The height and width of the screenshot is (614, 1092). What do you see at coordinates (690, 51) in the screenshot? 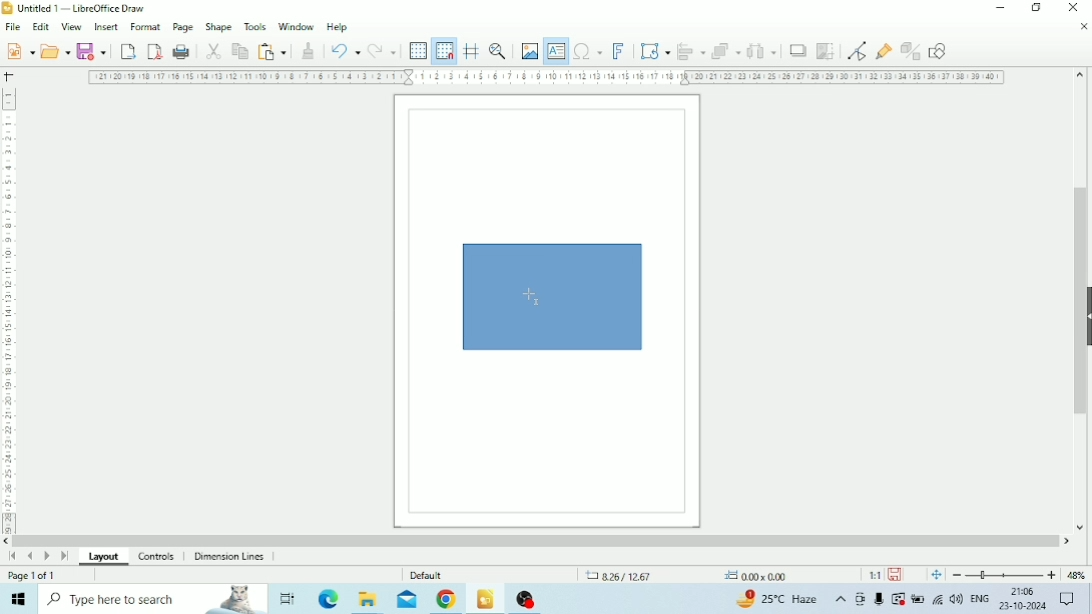
I see `Align objects` at bounding box center [690, 51].